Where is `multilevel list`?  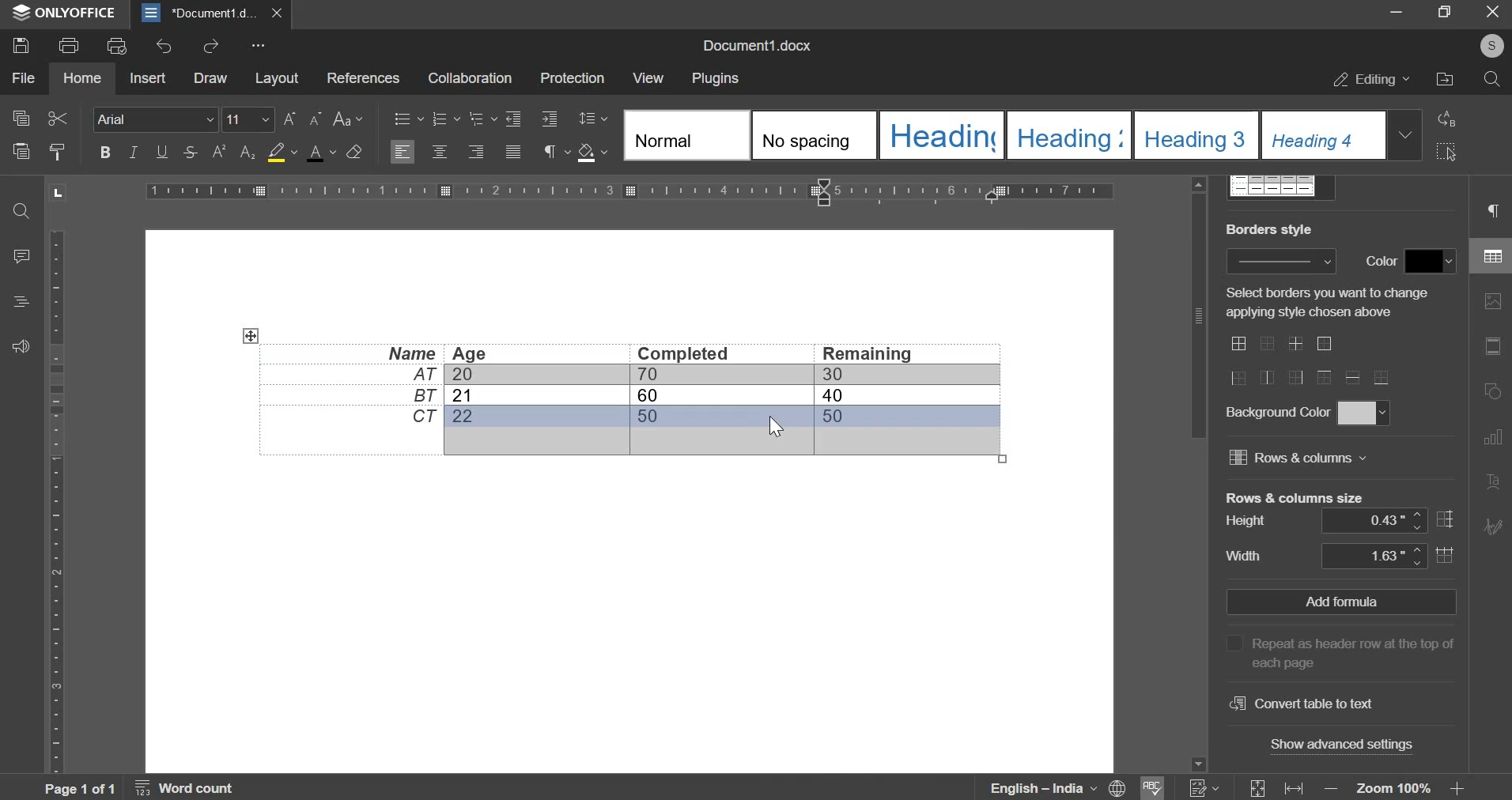 multilevel list is located at coordinates (481, 119).